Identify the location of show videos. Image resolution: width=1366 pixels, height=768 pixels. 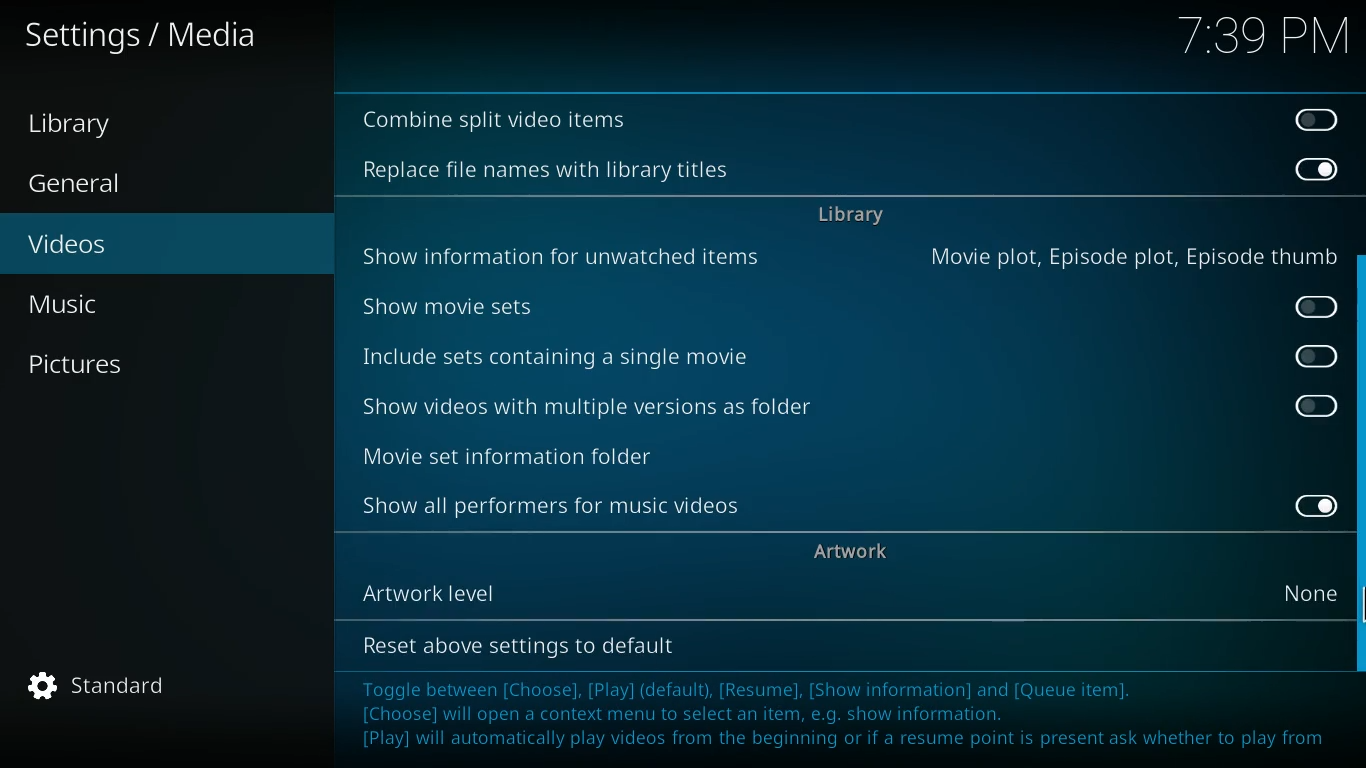
(604, 408).